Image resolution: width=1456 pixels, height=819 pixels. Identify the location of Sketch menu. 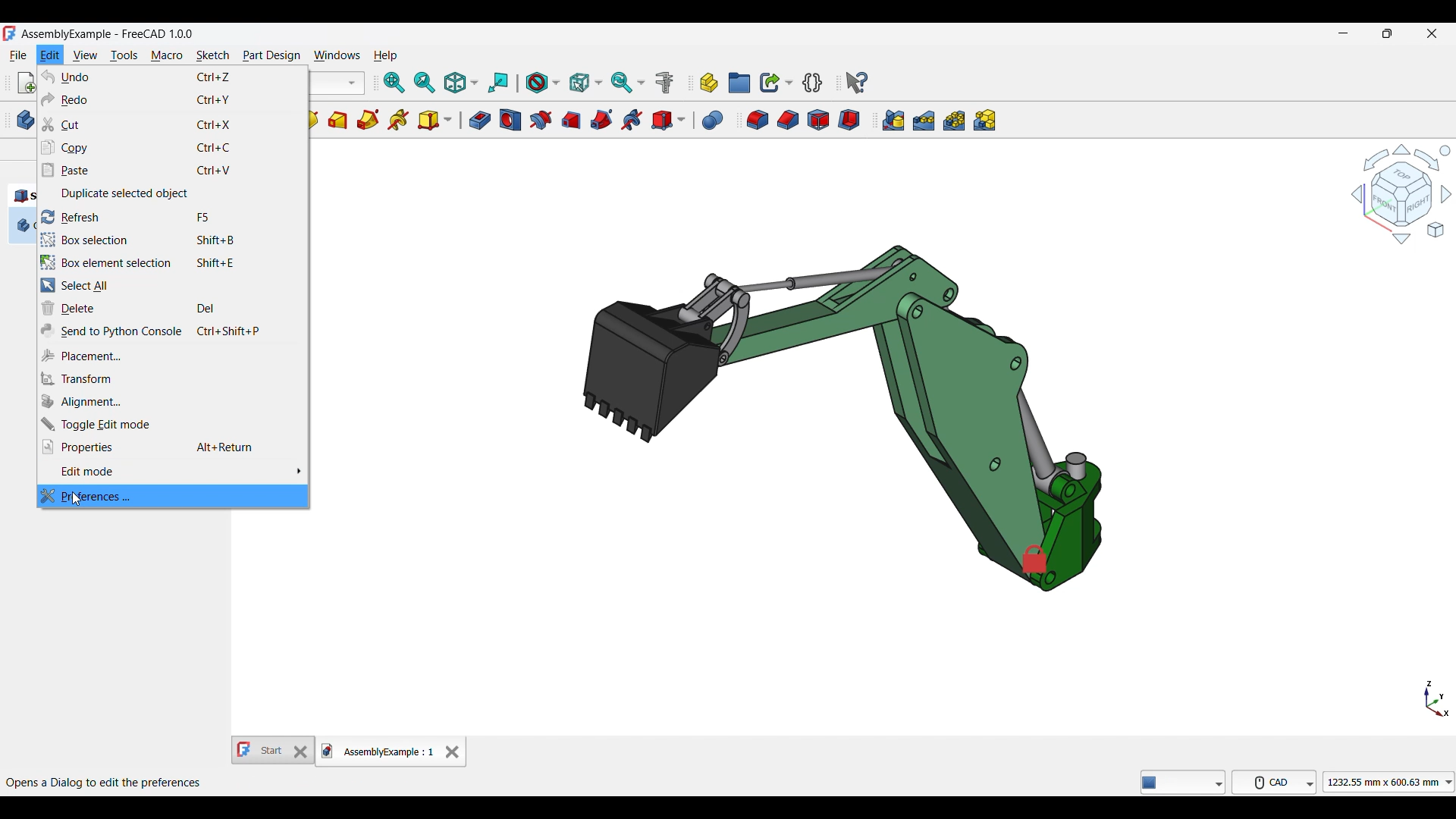
(212, 55).